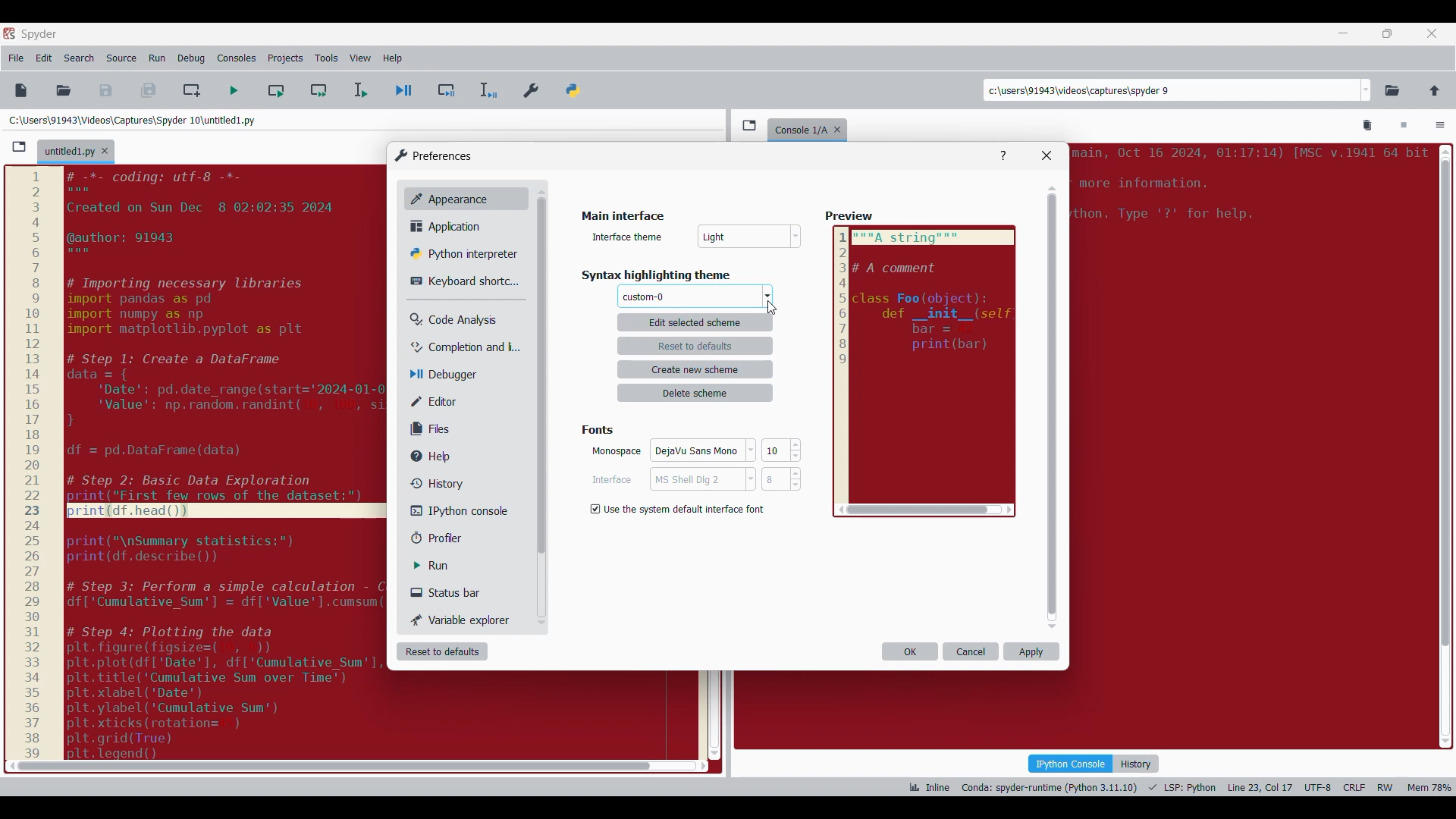  Describe the element at coordinates (841, 127) in the screenshot. I see `Close tab` at that location.